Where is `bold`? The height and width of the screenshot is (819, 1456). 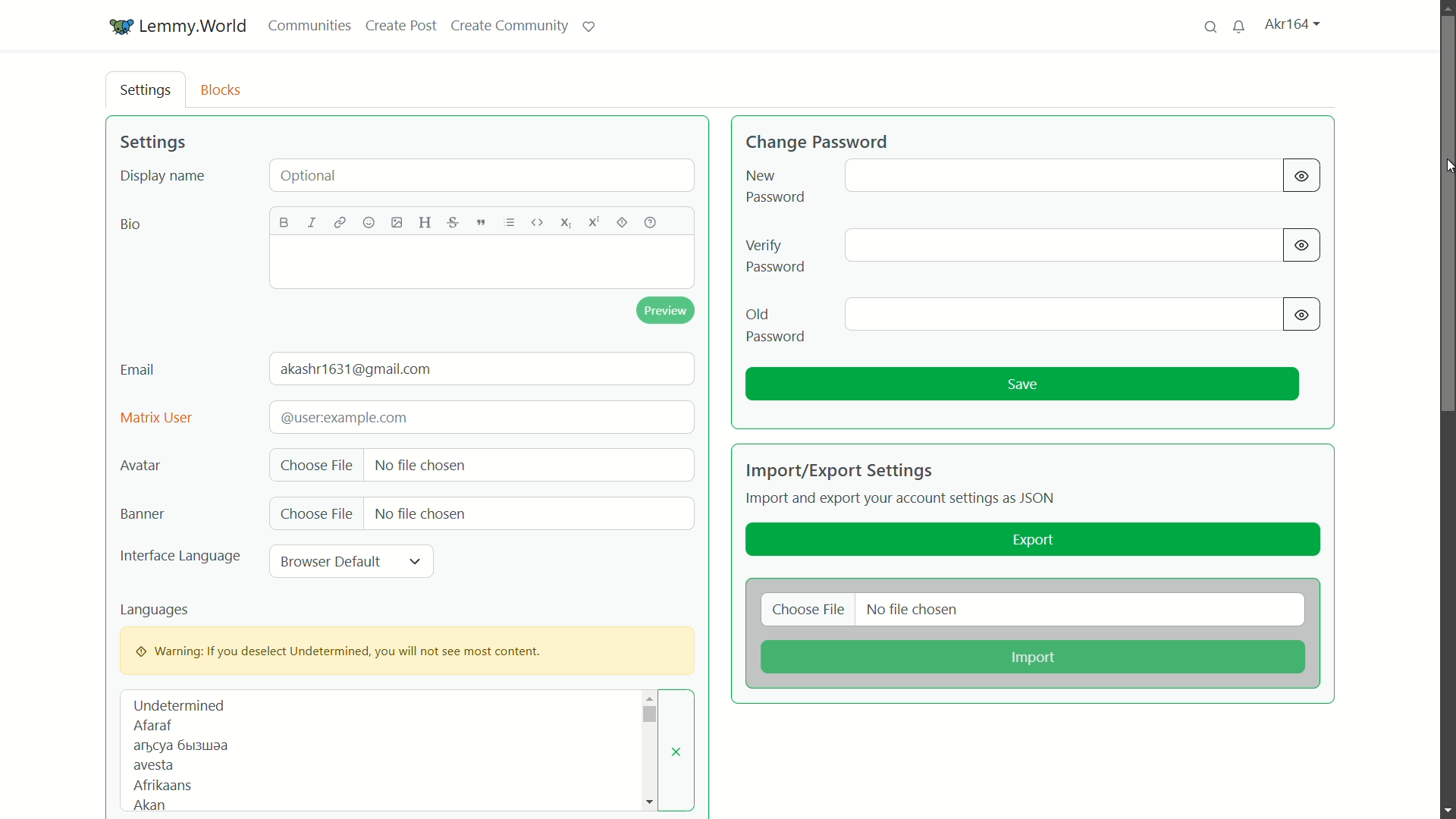 bold is located at coordinates (284, 221).